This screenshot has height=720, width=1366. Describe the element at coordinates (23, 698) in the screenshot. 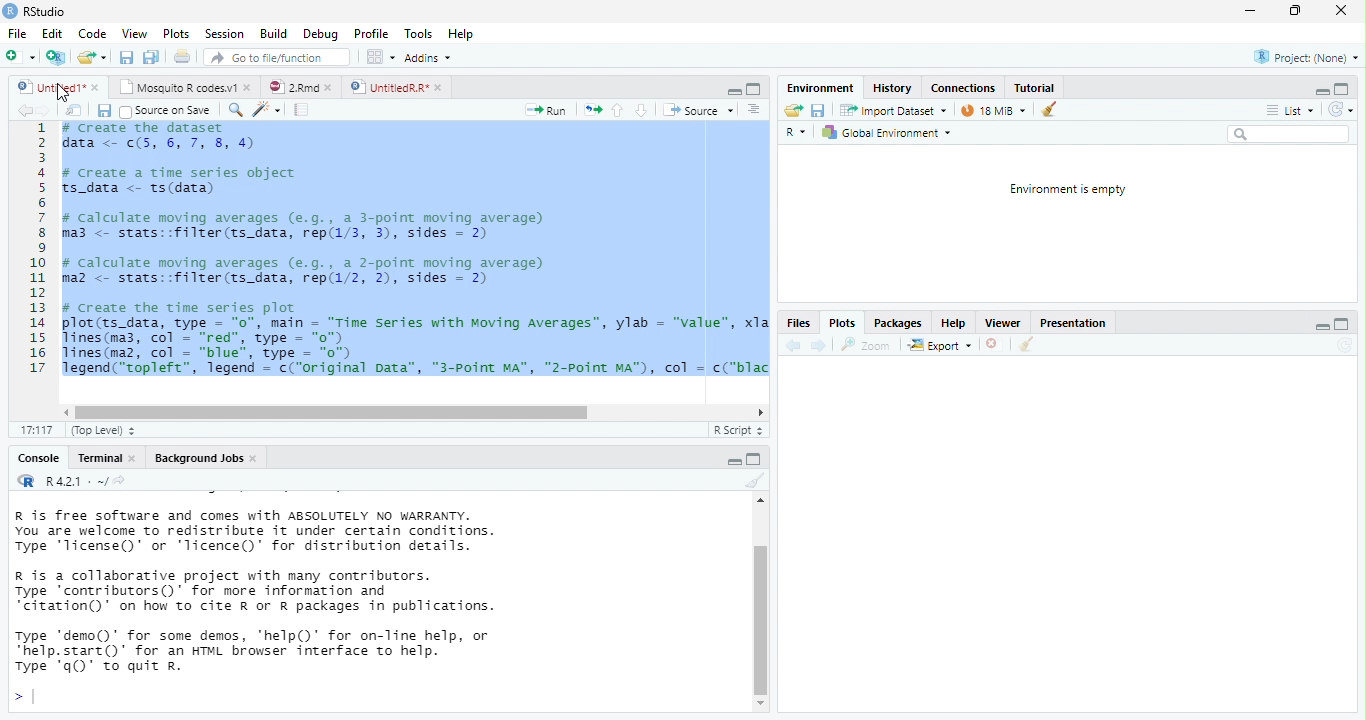

I see `>` at that location.